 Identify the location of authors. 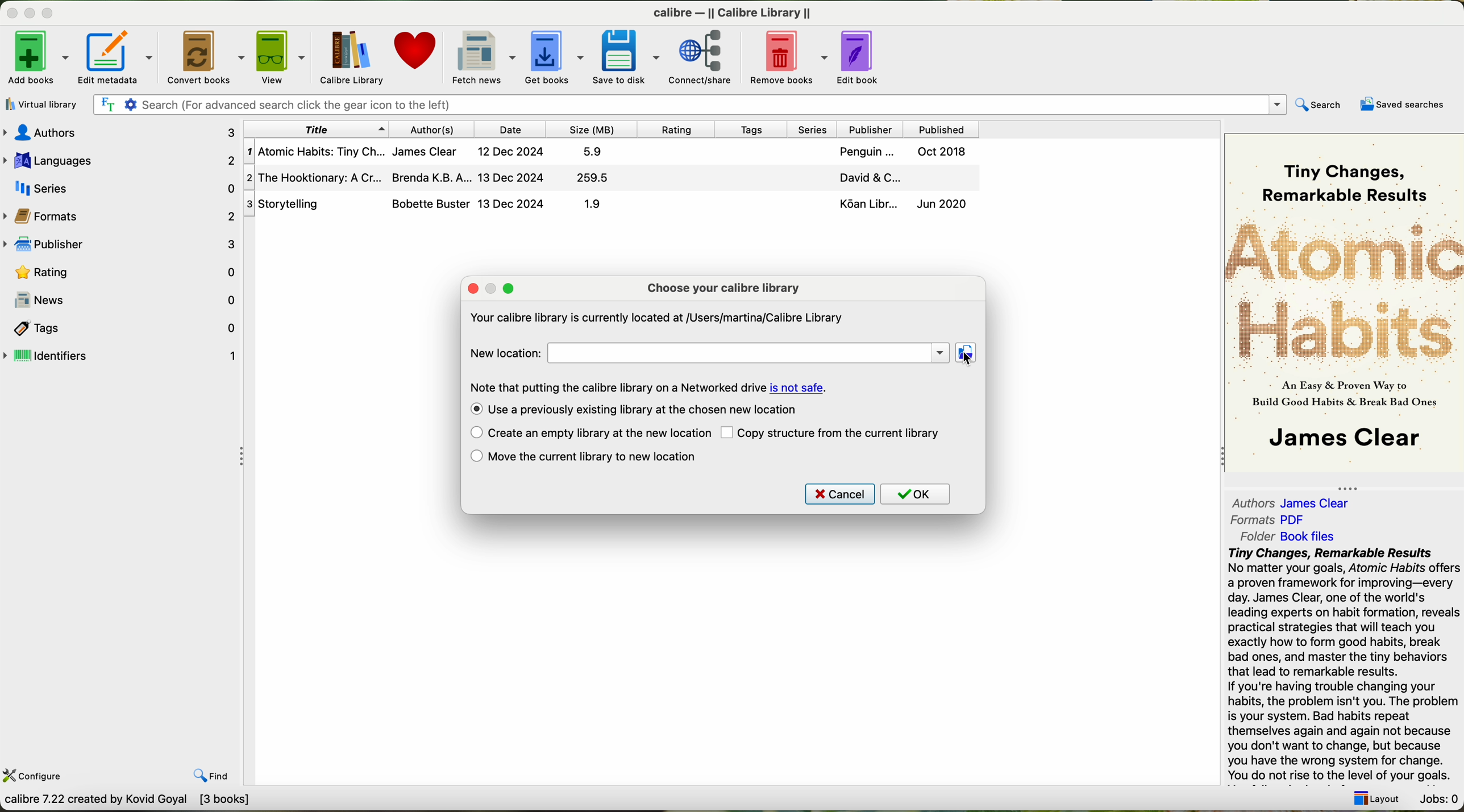
(119, 131).